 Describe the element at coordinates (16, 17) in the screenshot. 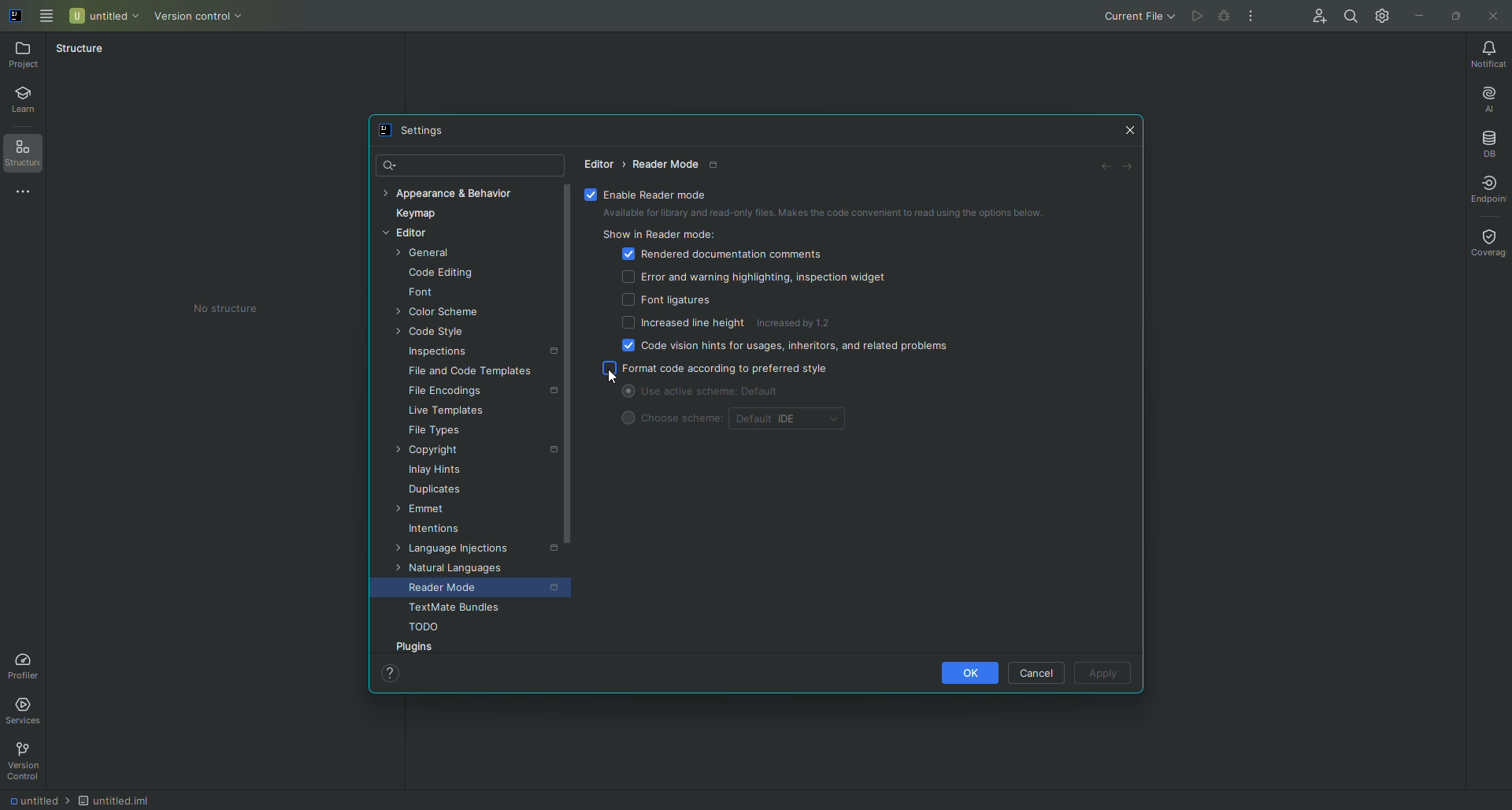

I see `logo` at that location.